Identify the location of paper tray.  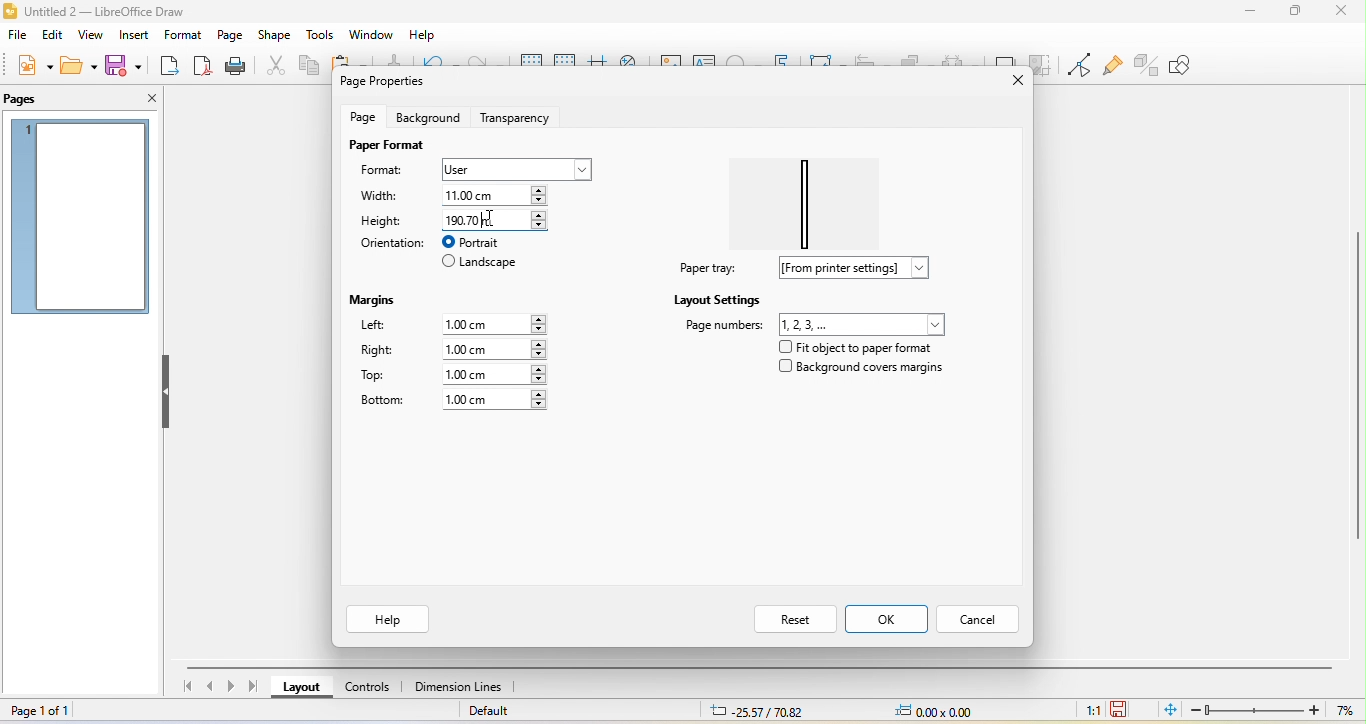
(705, 268).